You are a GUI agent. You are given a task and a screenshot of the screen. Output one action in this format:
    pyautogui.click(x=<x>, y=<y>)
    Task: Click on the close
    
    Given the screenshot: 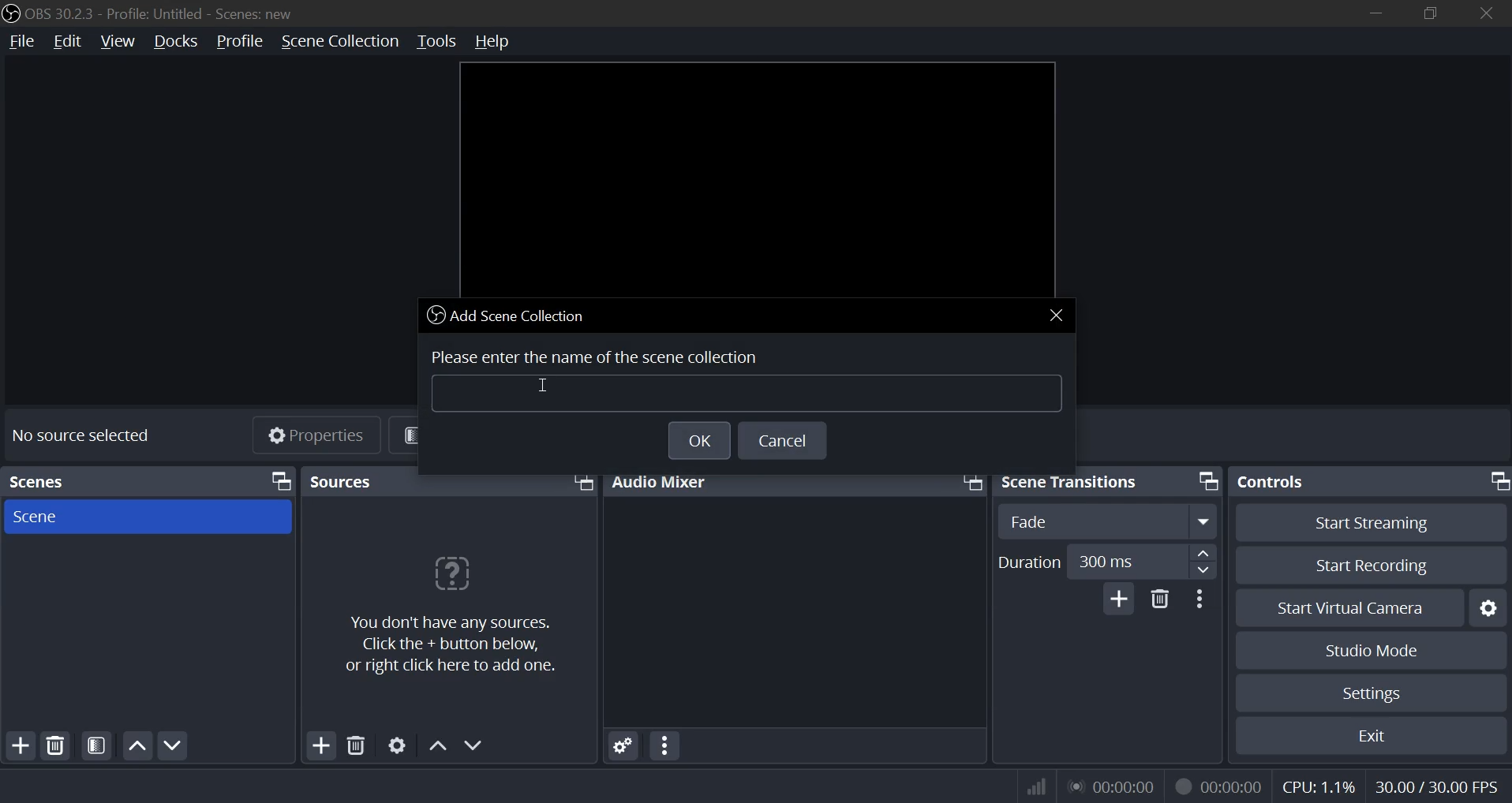 What is the action you would take?
    pyautogui.click(x=1057, y=314)
    